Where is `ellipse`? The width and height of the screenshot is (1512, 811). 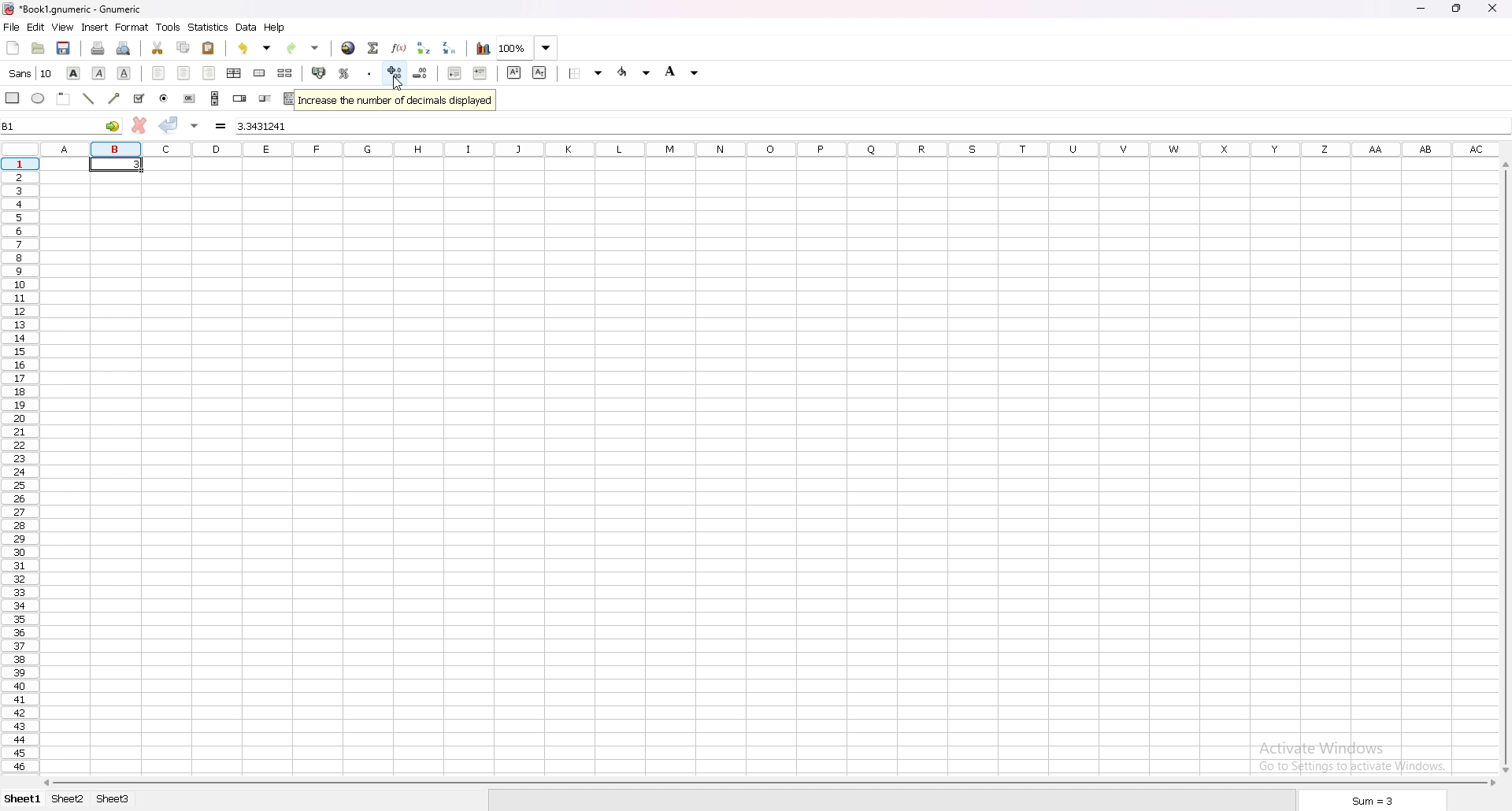
ellipse is located at coordinates (37, 99).